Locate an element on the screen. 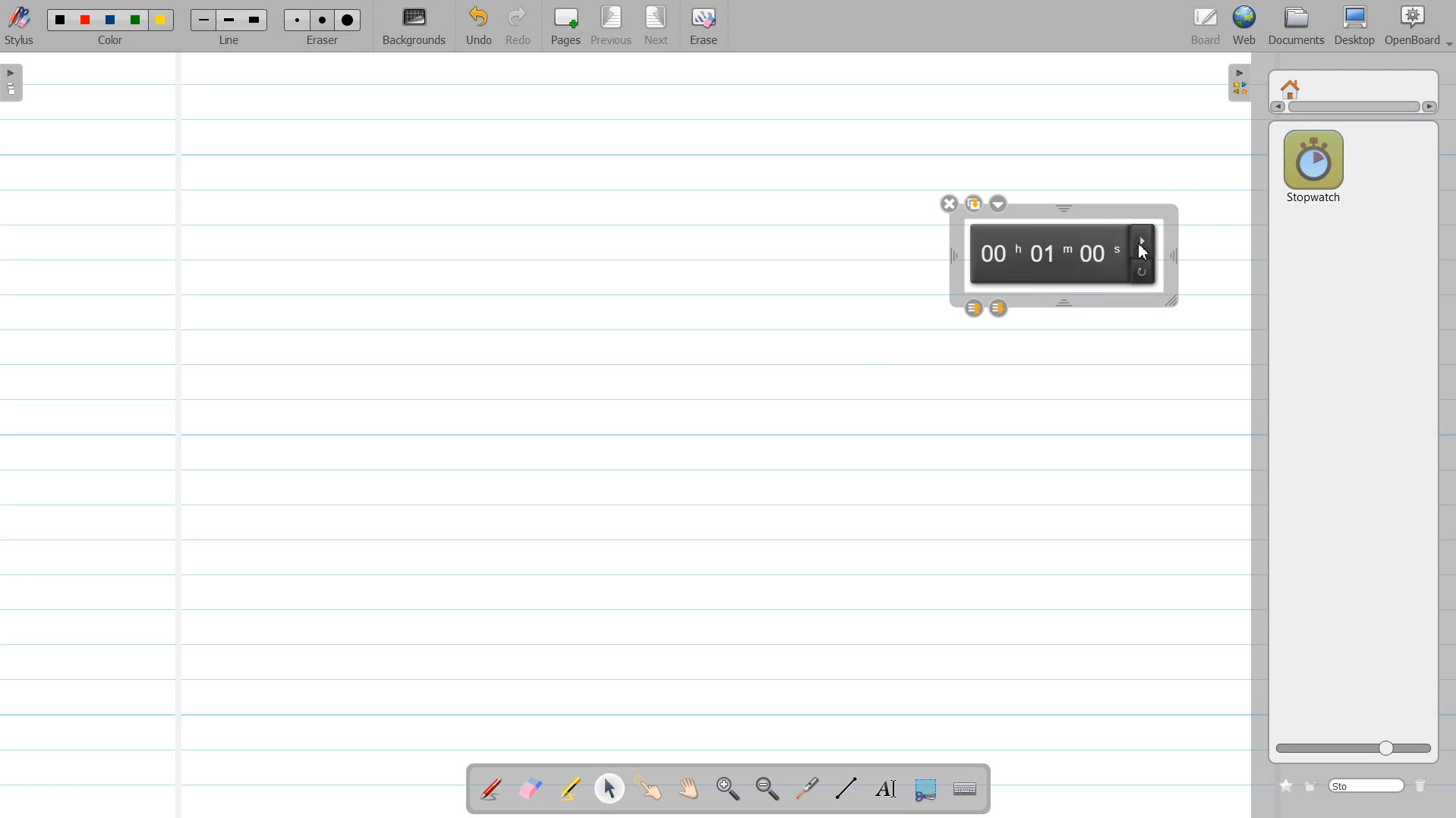 This screenshot has height=818, width=1456. Search bar is located at coordinates (1367, 785).